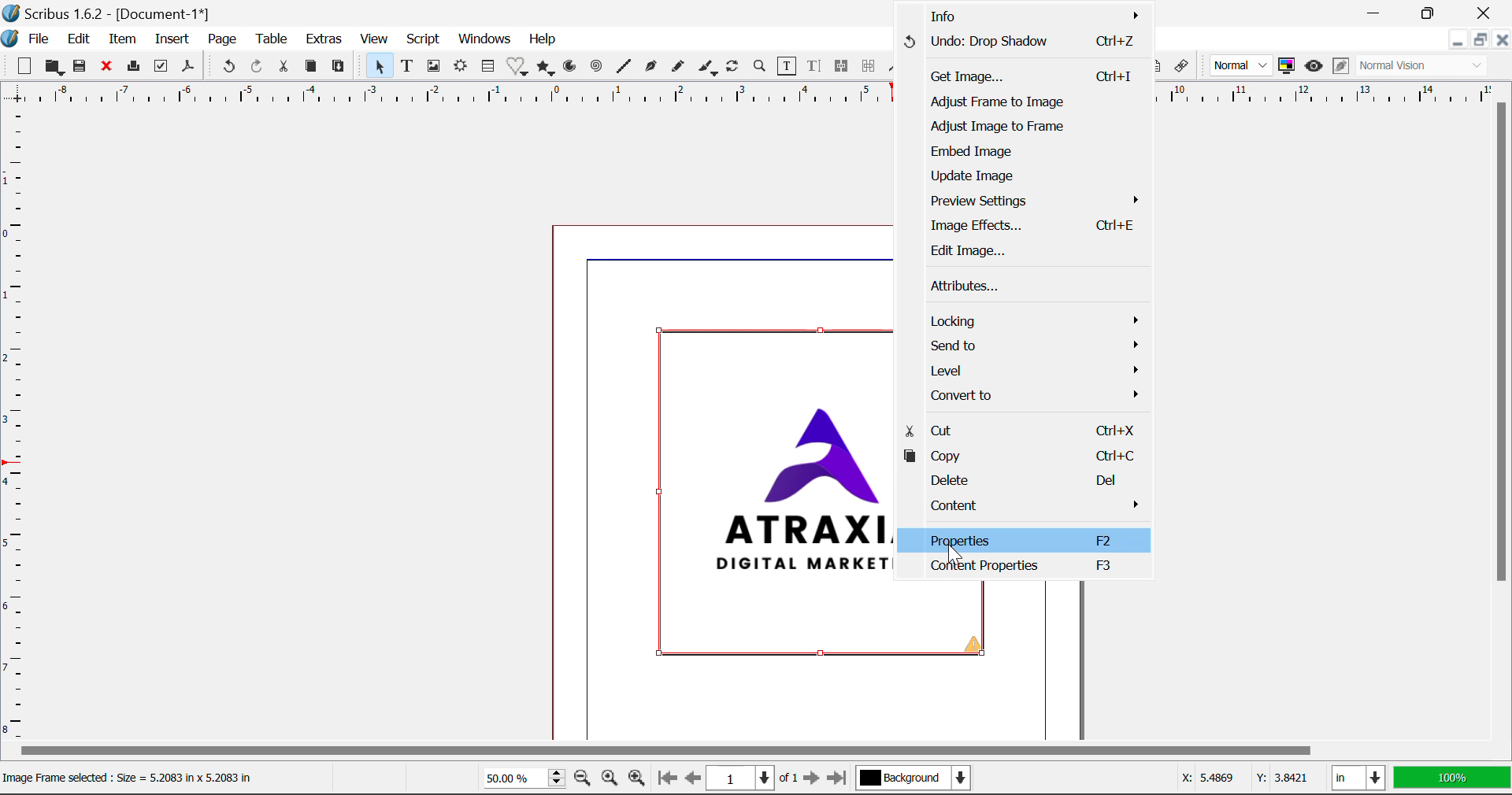 The width and height of the screenshot is (1512, 795). Describe the element at coordinates (81, 68) in the screenshot. I see `Save` at that location.